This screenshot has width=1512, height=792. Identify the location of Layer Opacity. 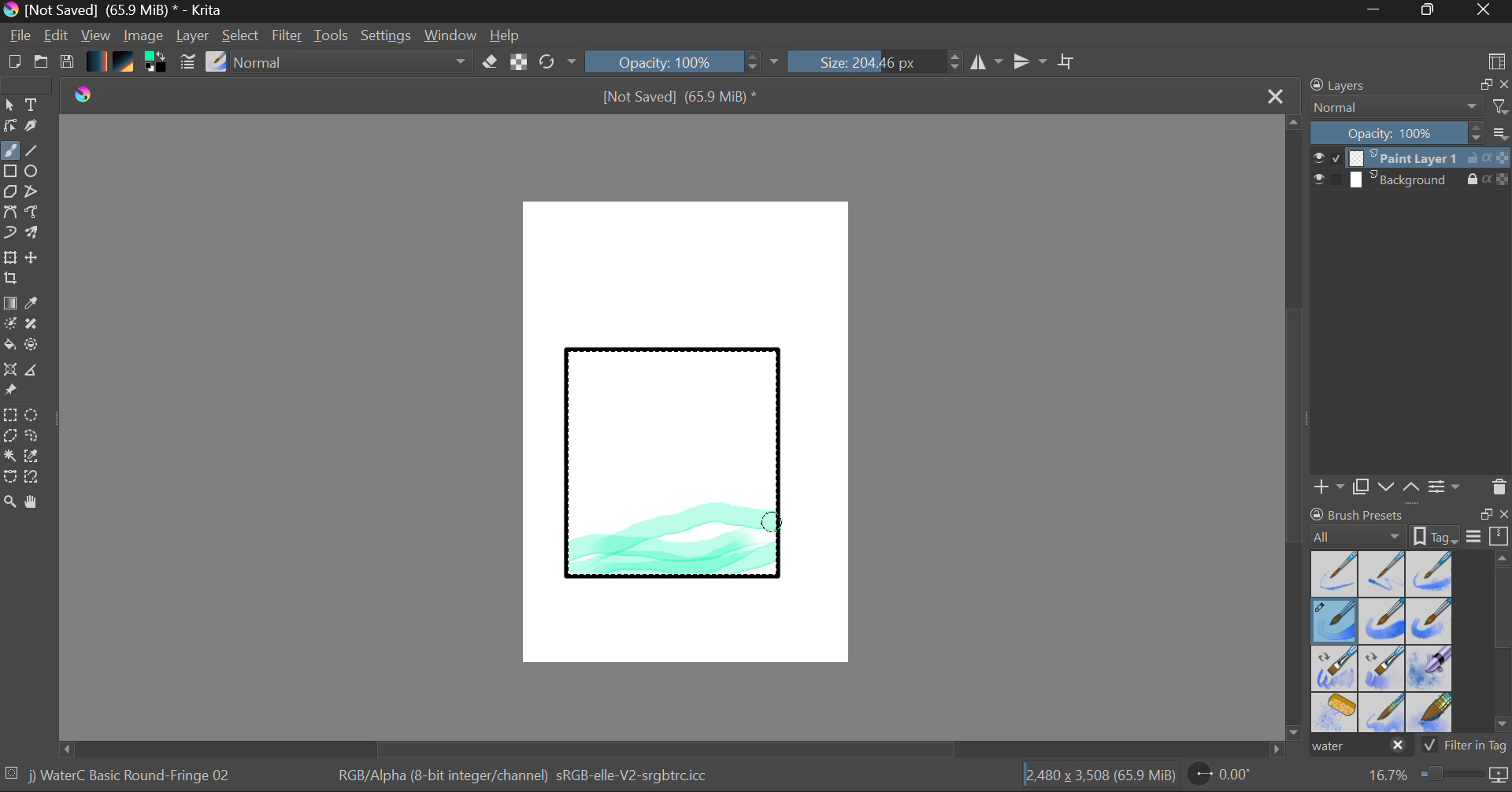
(1412, 134).